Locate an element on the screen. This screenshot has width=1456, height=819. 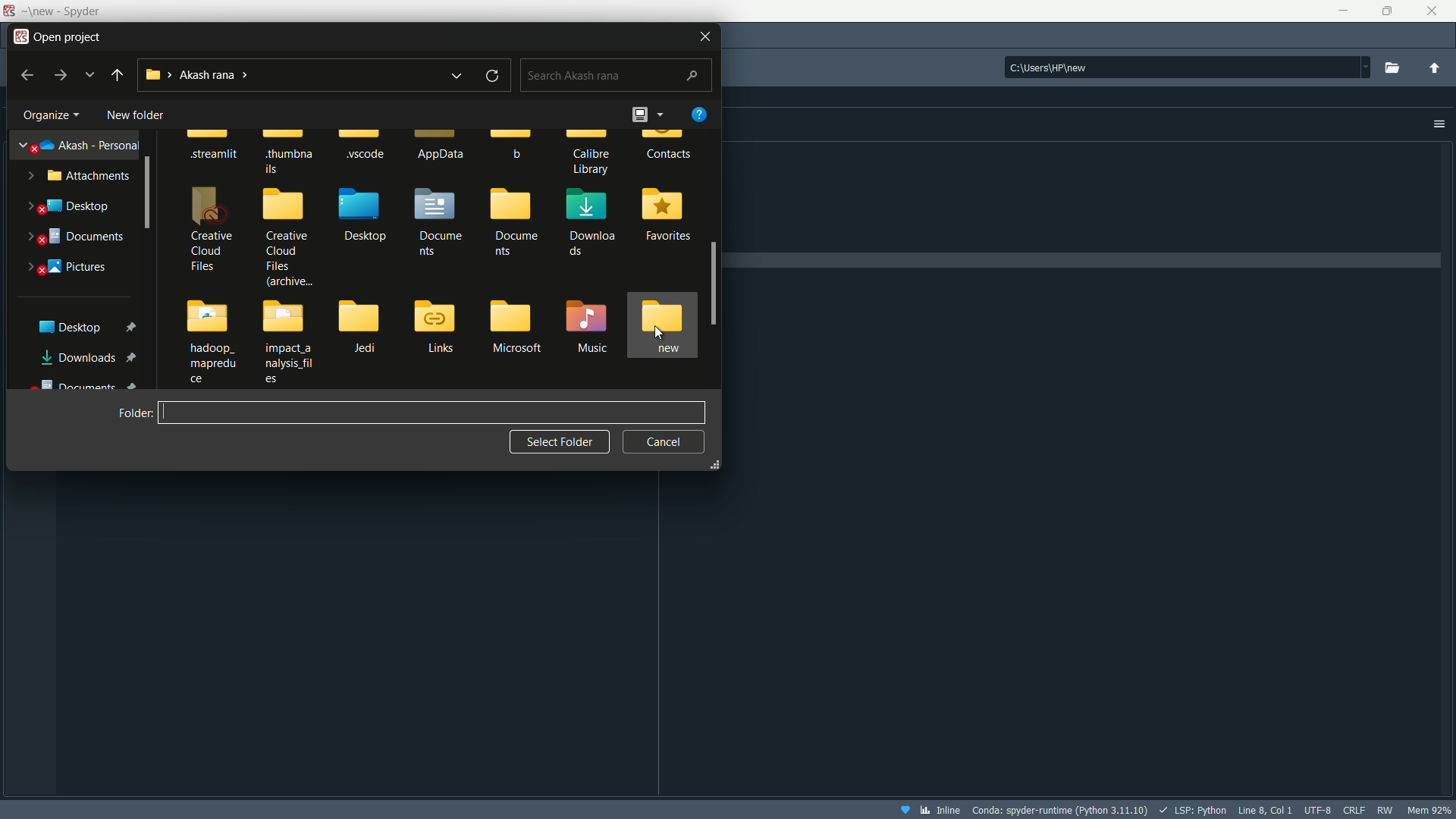
browse directory is located at coordinates (1394, 67).